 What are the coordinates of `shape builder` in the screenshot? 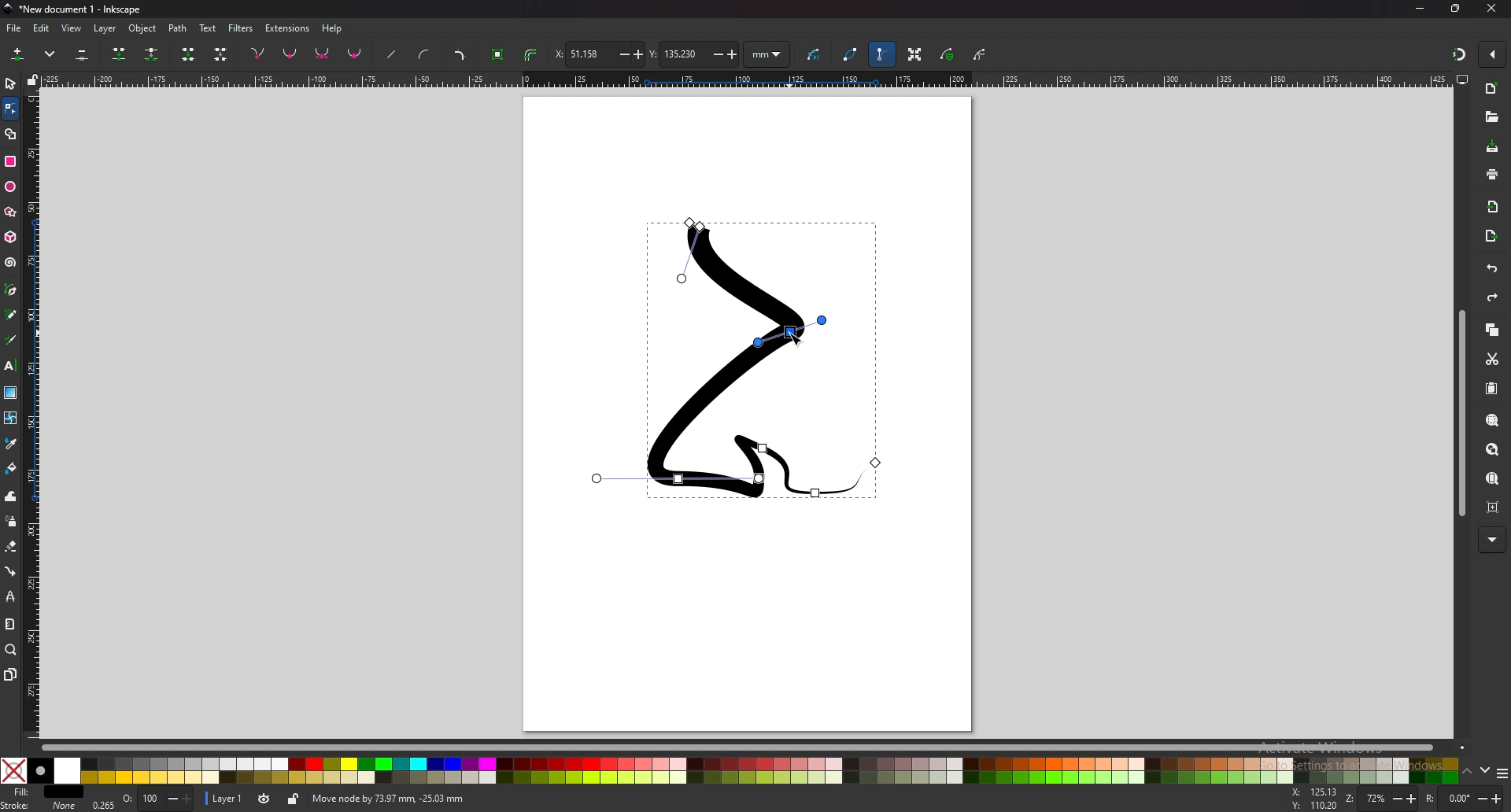 It's located at (11, 134).